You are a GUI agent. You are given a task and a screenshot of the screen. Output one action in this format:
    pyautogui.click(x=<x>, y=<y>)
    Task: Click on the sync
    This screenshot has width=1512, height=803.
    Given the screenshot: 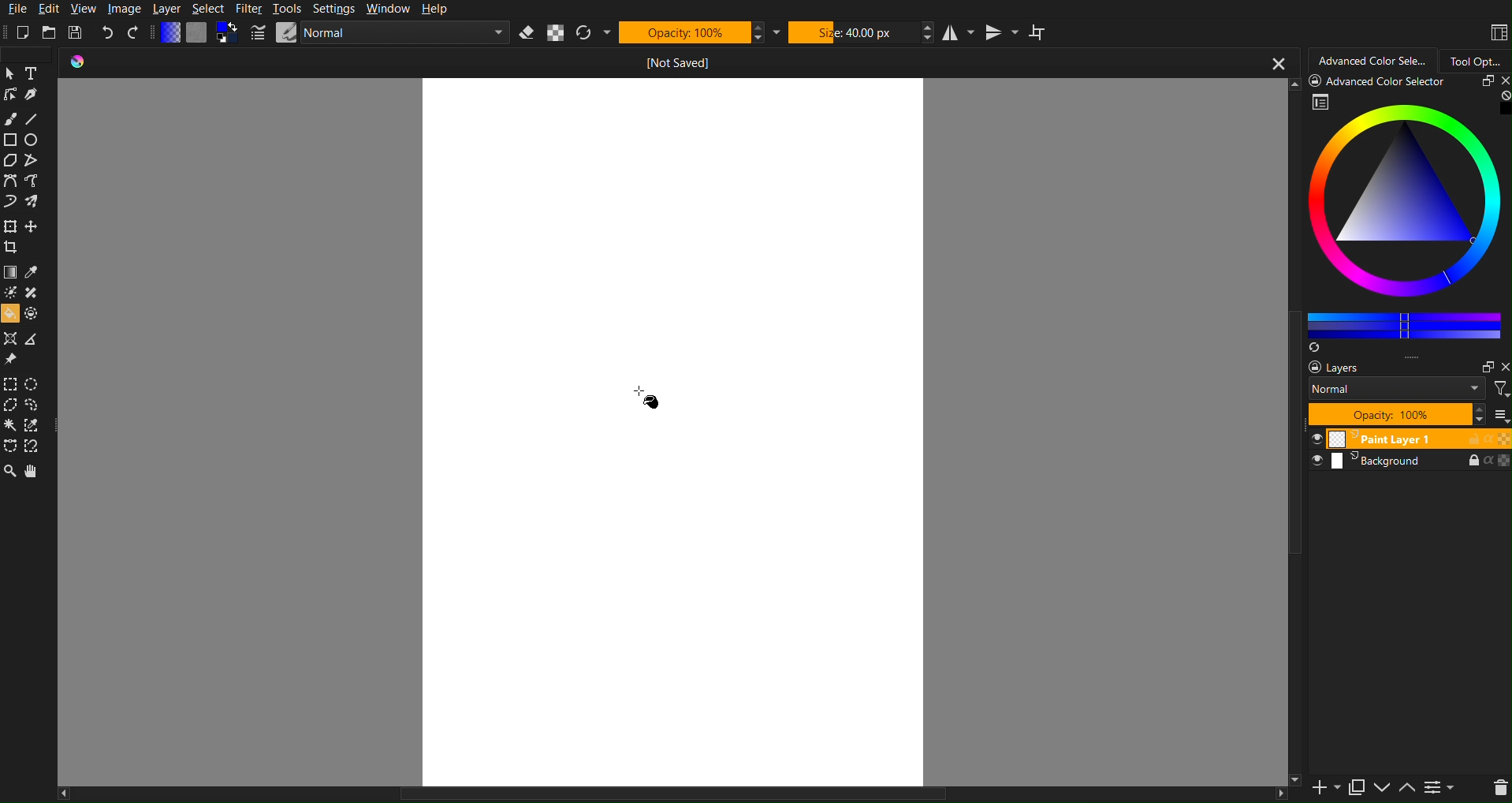 What is the action you would take?
    pyautogui.click(x=1316, y=345)
    